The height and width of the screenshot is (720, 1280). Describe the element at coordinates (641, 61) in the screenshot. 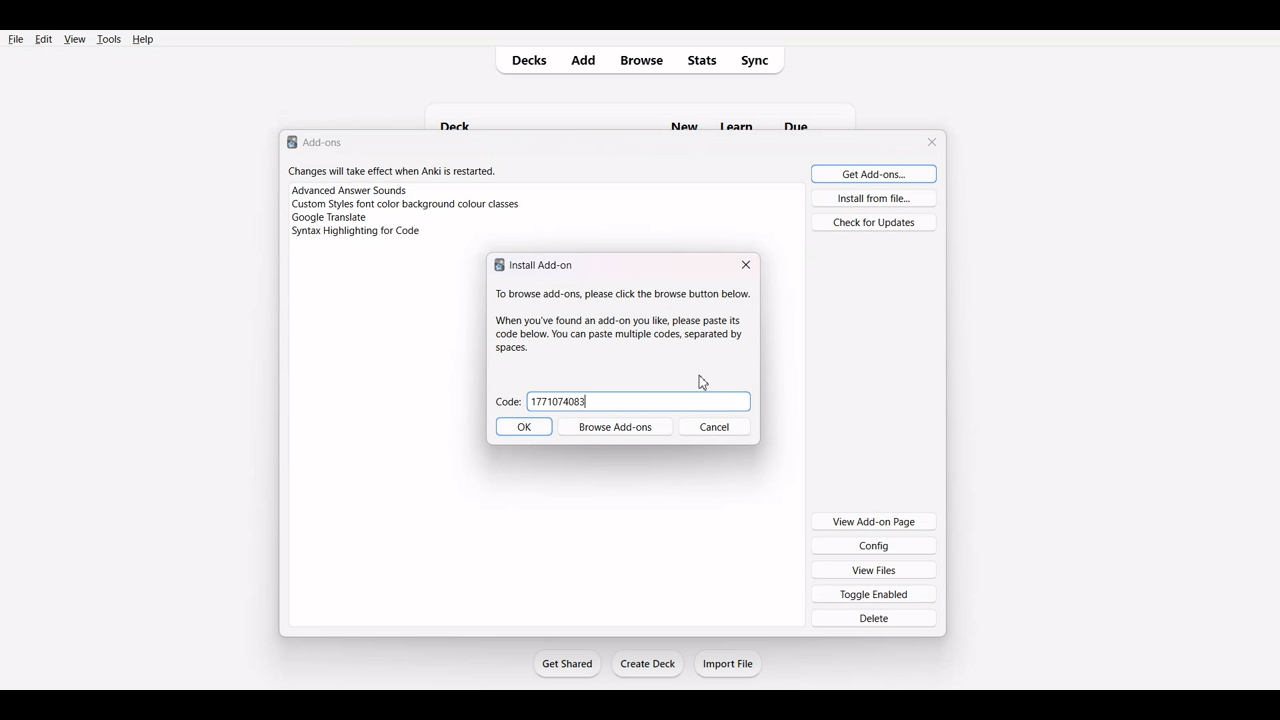

I see `Browse` at that location.